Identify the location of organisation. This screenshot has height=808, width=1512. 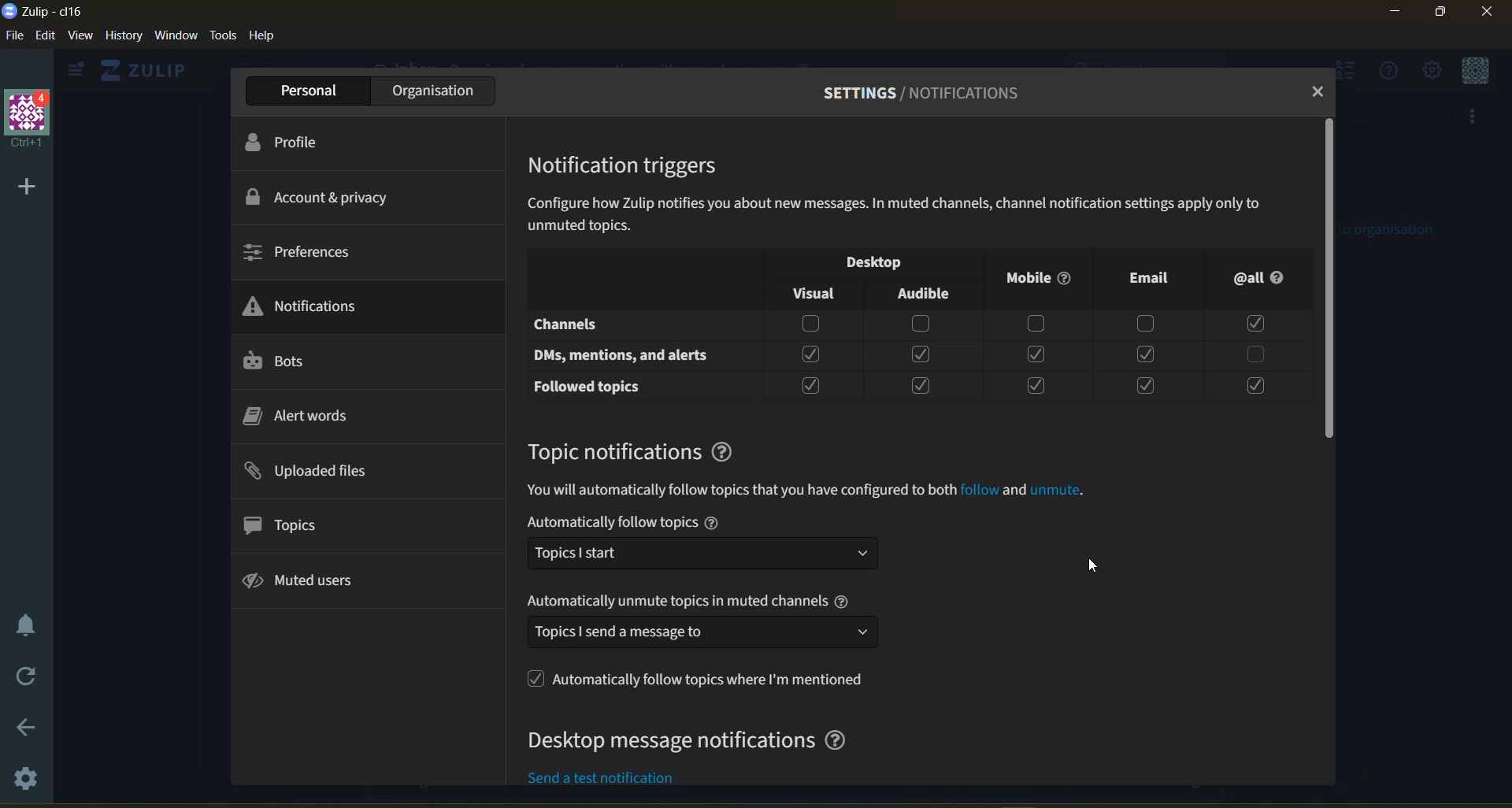
(430, 90).